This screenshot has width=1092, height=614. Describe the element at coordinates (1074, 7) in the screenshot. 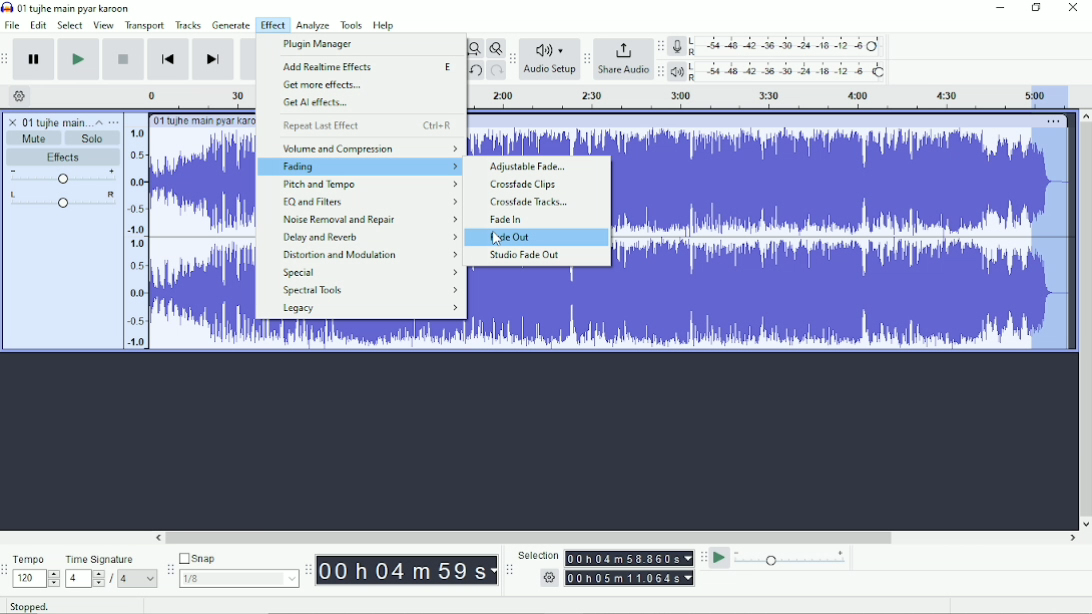

I see `Close` at that location.